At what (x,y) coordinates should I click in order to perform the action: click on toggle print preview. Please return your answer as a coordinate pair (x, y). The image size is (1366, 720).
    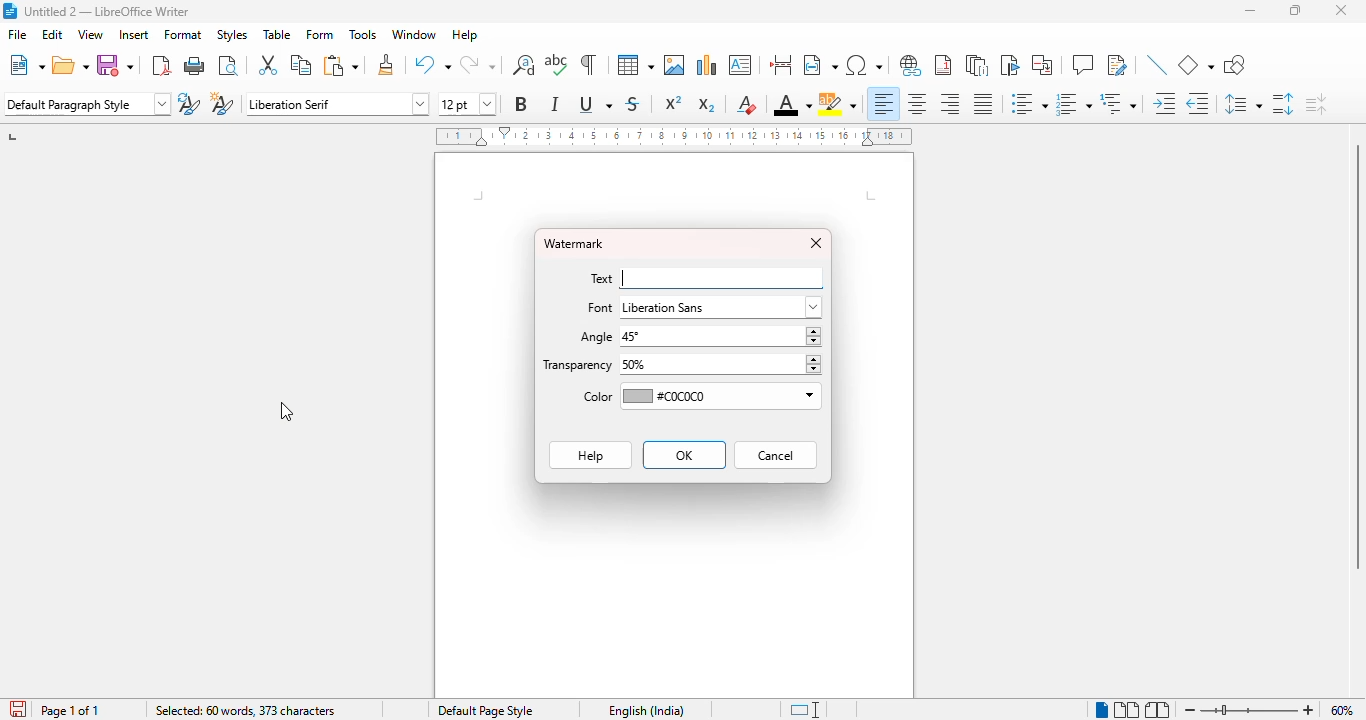
    Looking at the image, I should click on (228, 65).